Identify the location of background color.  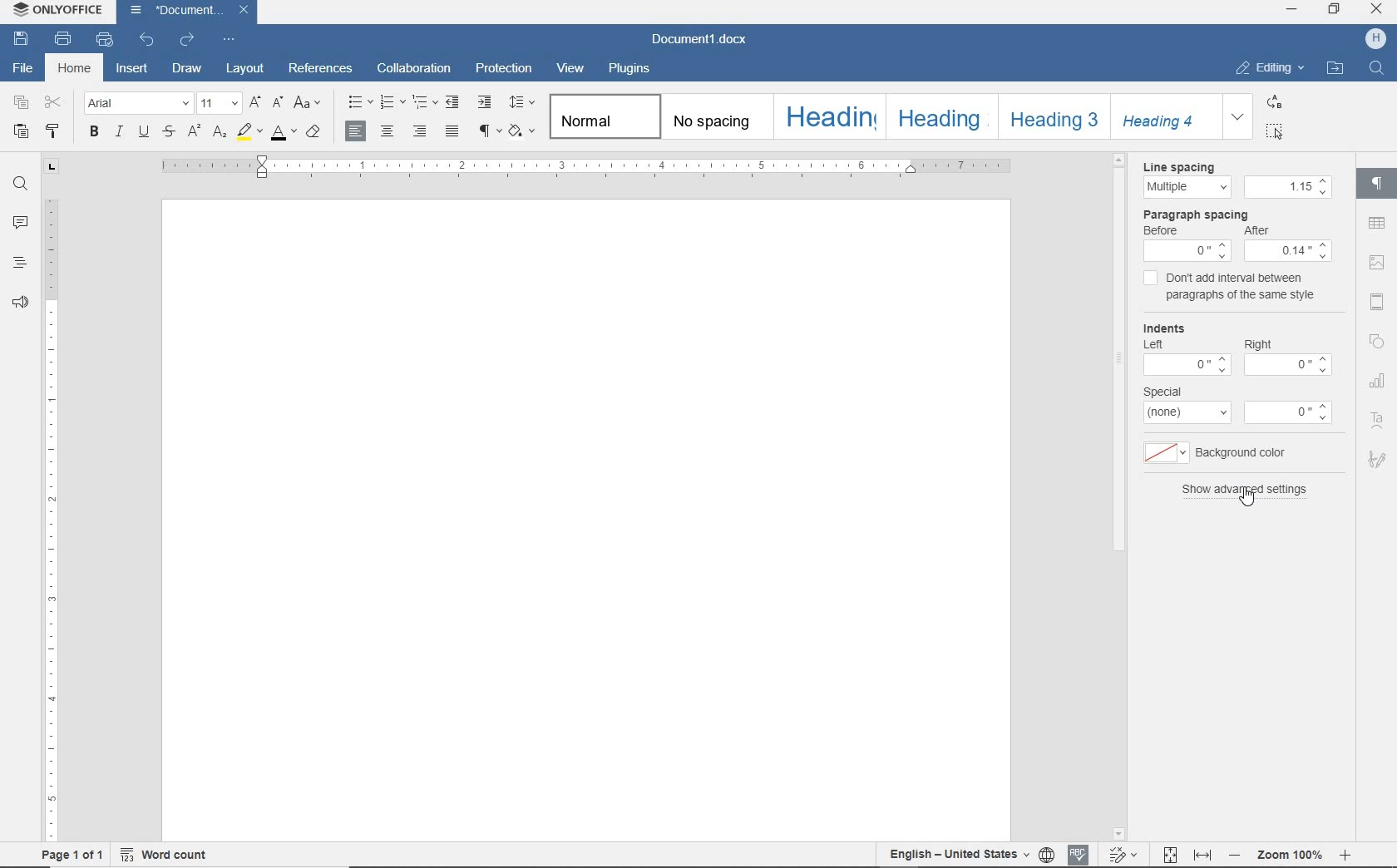
(1233, 455).